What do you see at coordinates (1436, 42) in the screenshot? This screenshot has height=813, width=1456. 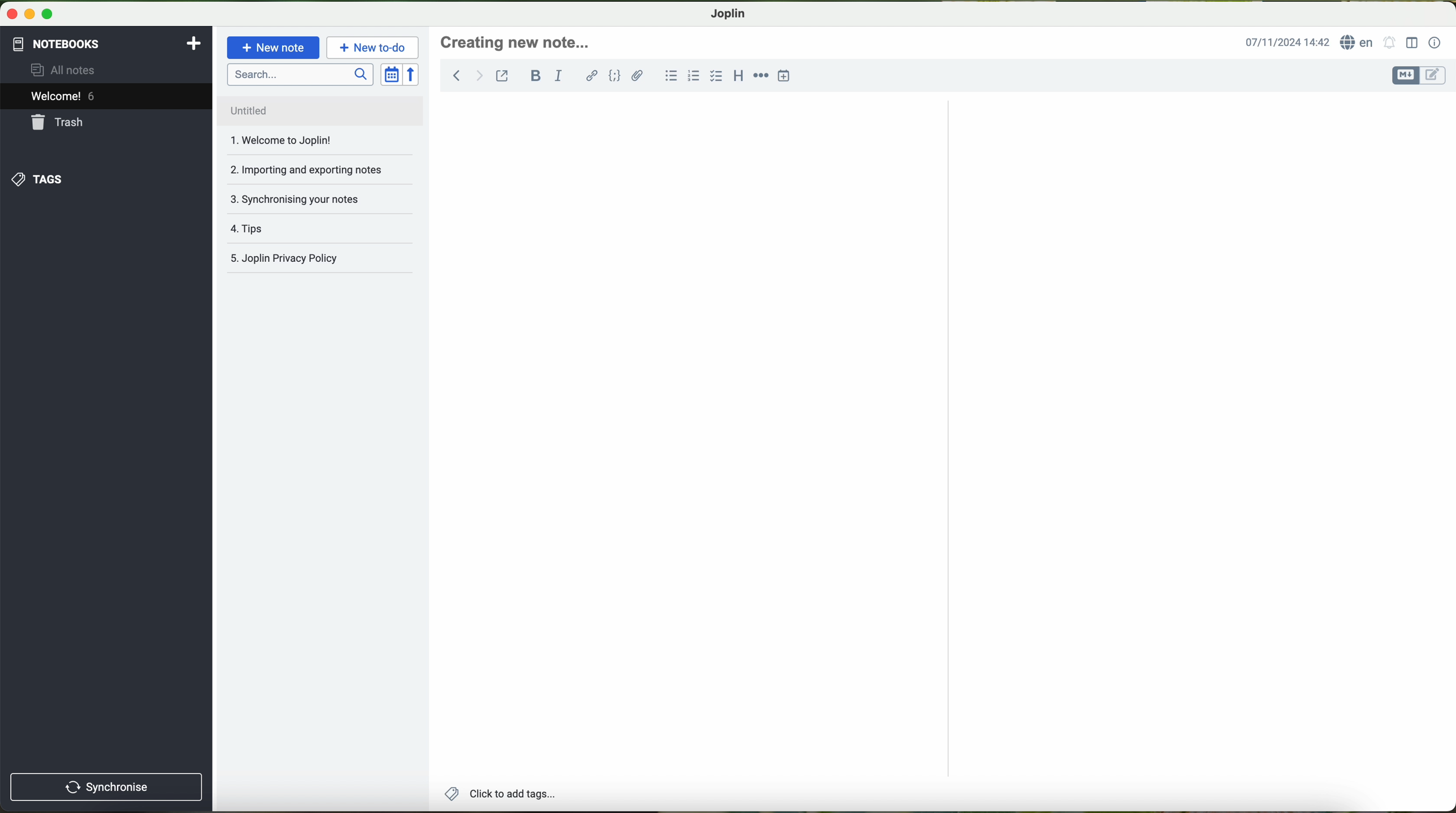 I see `note properties` at bounding box center [1436, 42].